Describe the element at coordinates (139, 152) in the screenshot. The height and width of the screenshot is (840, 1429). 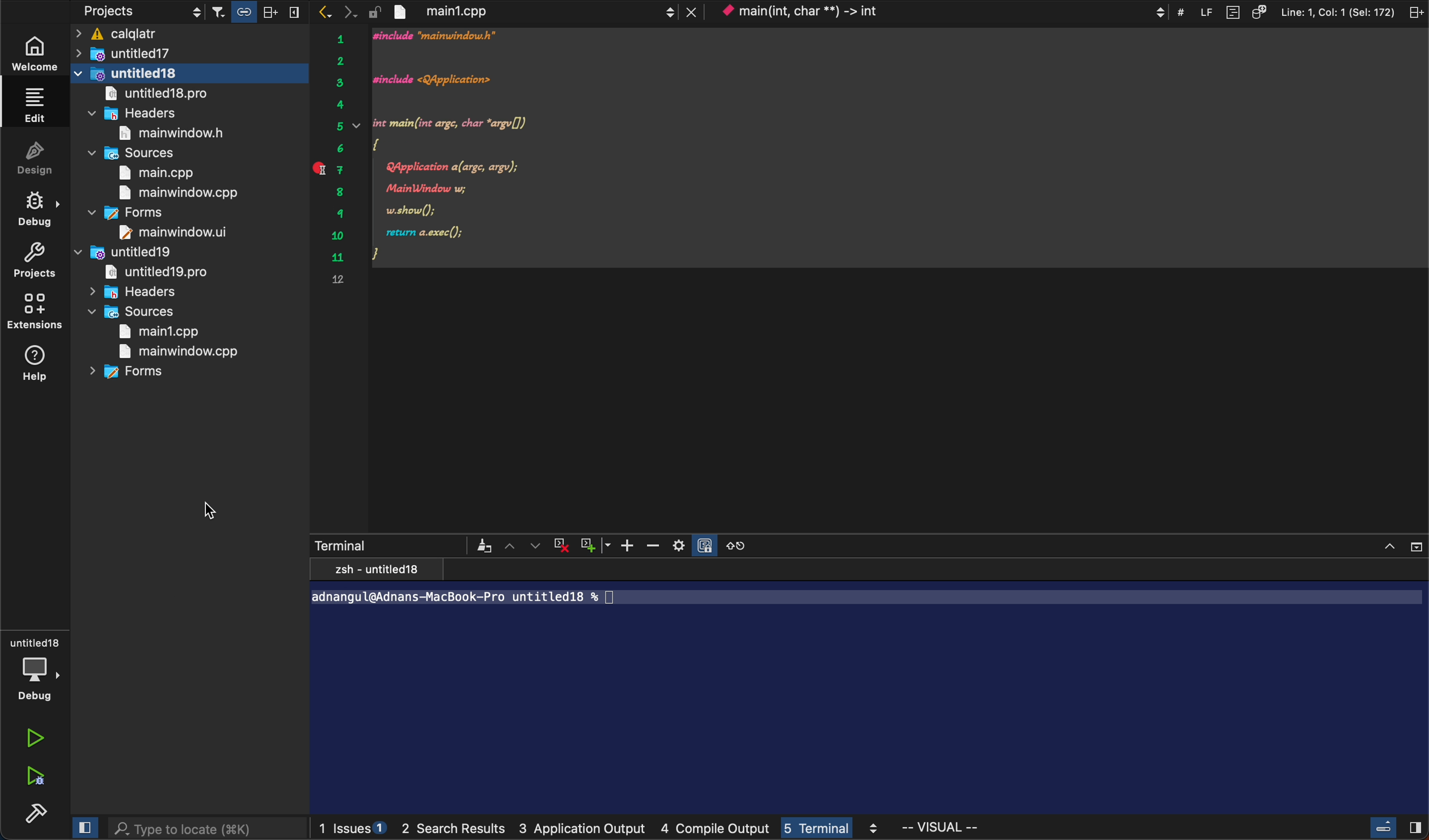
I see `sources` at that location.